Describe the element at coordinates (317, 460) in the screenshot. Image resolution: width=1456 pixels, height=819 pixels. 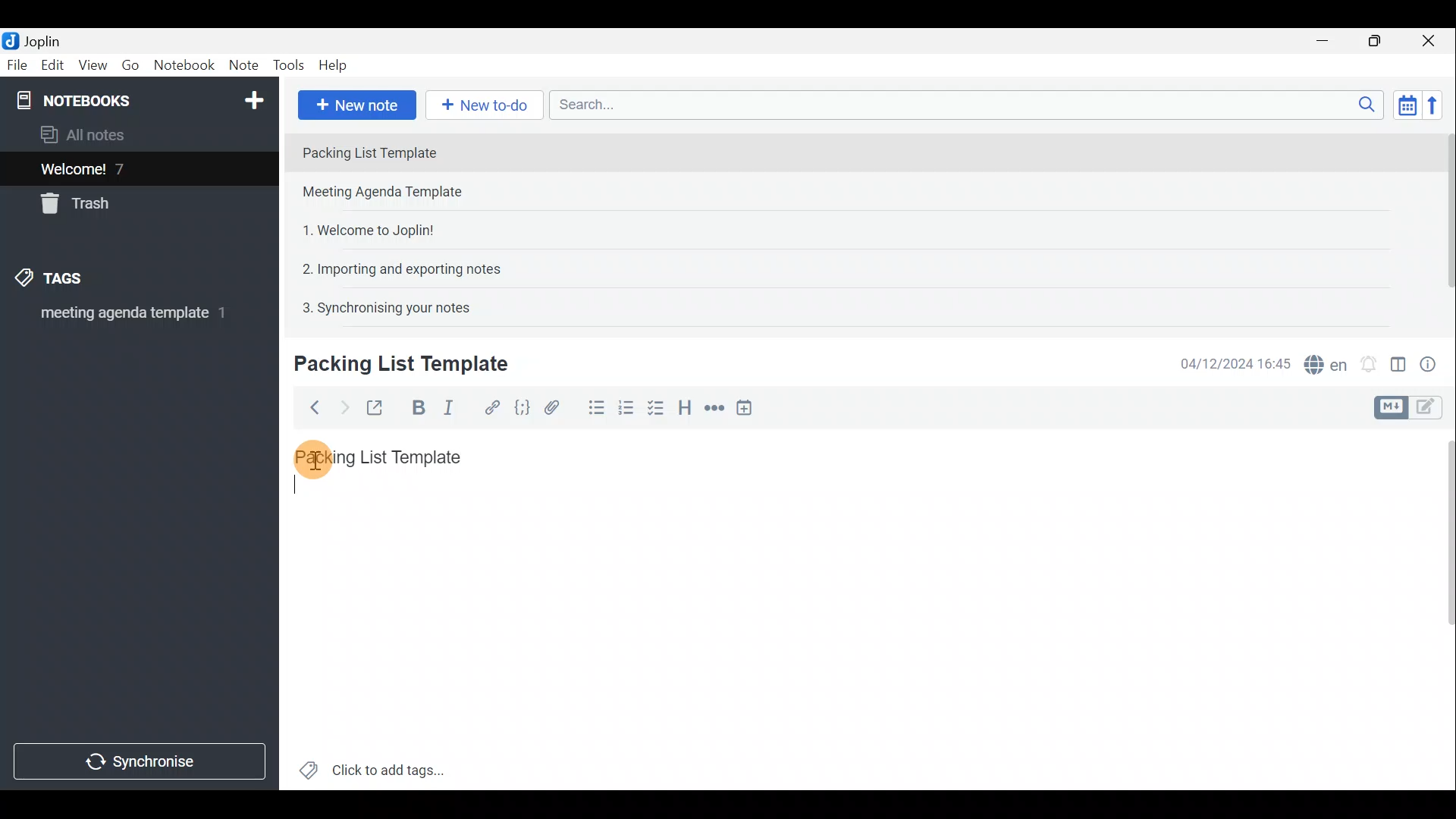
I see `Cursor` at that location.